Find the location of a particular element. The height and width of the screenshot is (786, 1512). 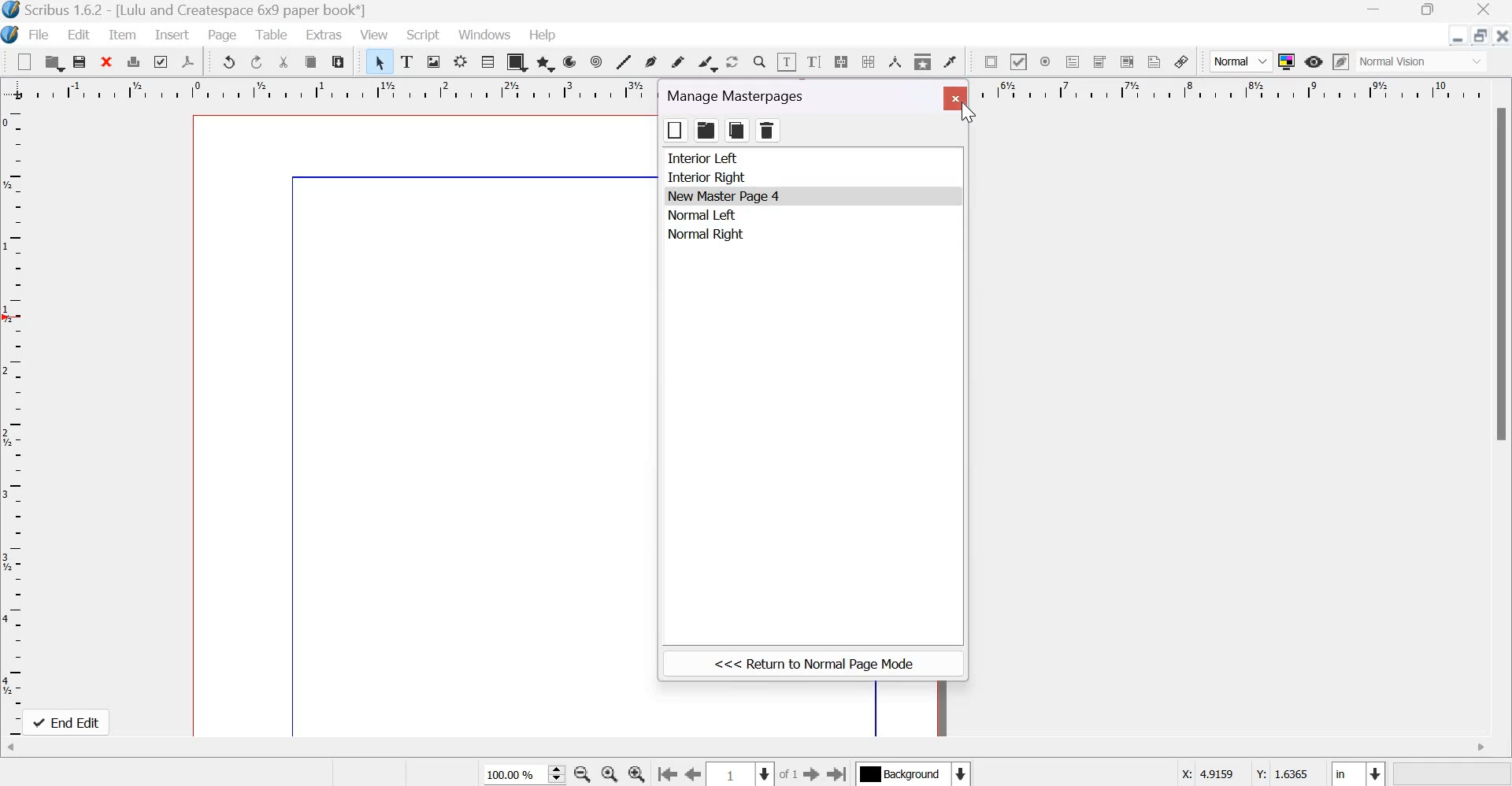

undo is located at coordinates (229, 61).